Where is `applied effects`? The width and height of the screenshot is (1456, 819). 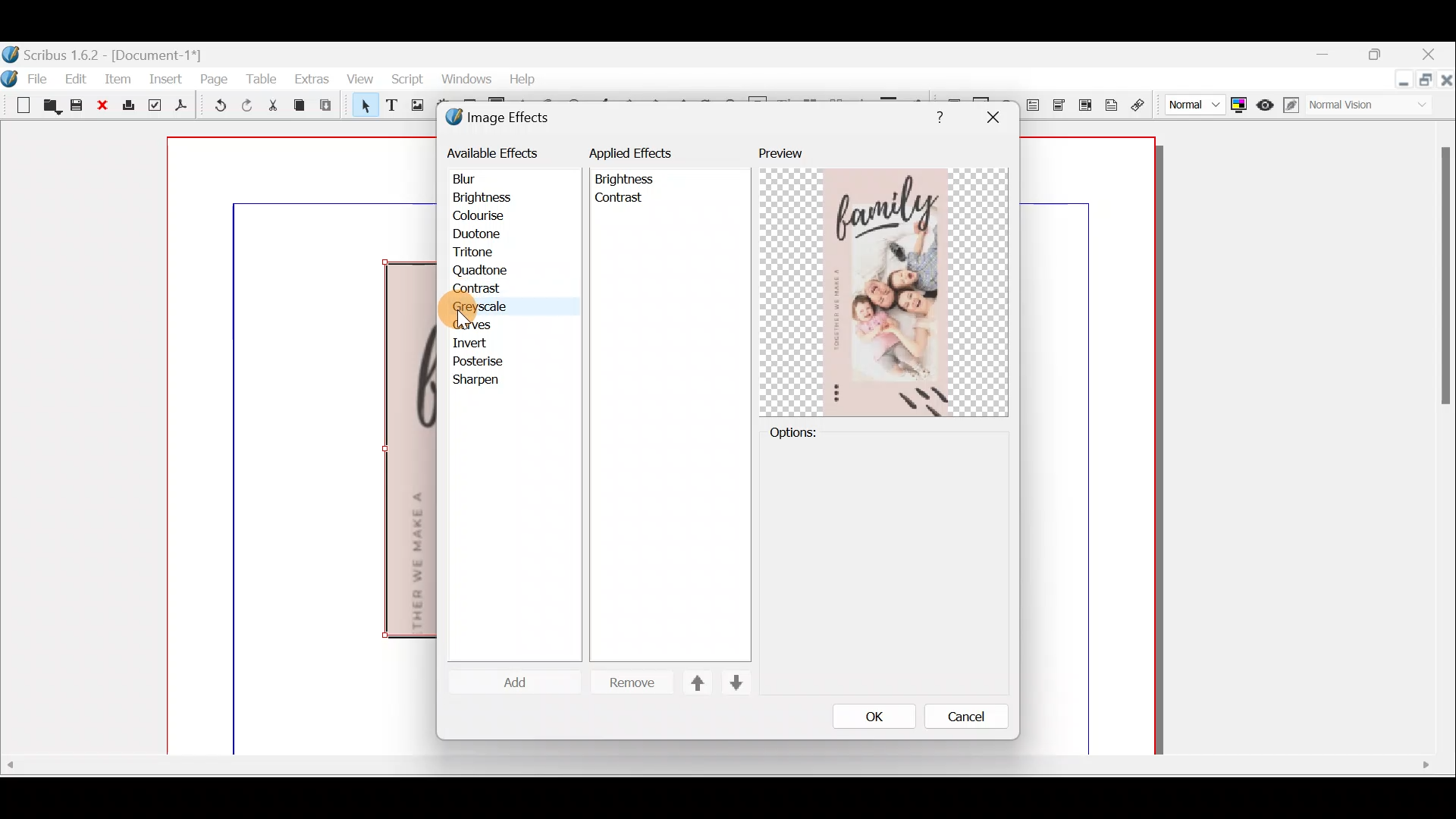 applied effects is located at coordinates (666, 152).